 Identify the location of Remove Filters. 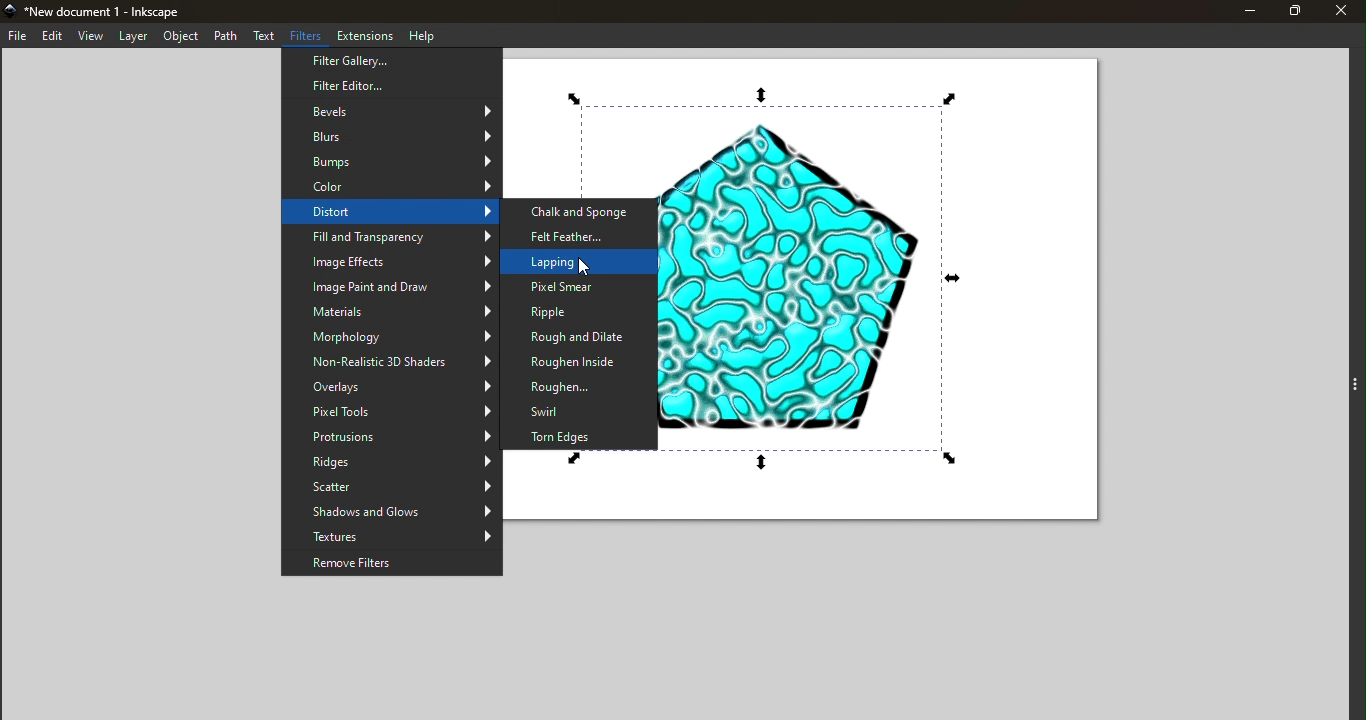
(392, 563).